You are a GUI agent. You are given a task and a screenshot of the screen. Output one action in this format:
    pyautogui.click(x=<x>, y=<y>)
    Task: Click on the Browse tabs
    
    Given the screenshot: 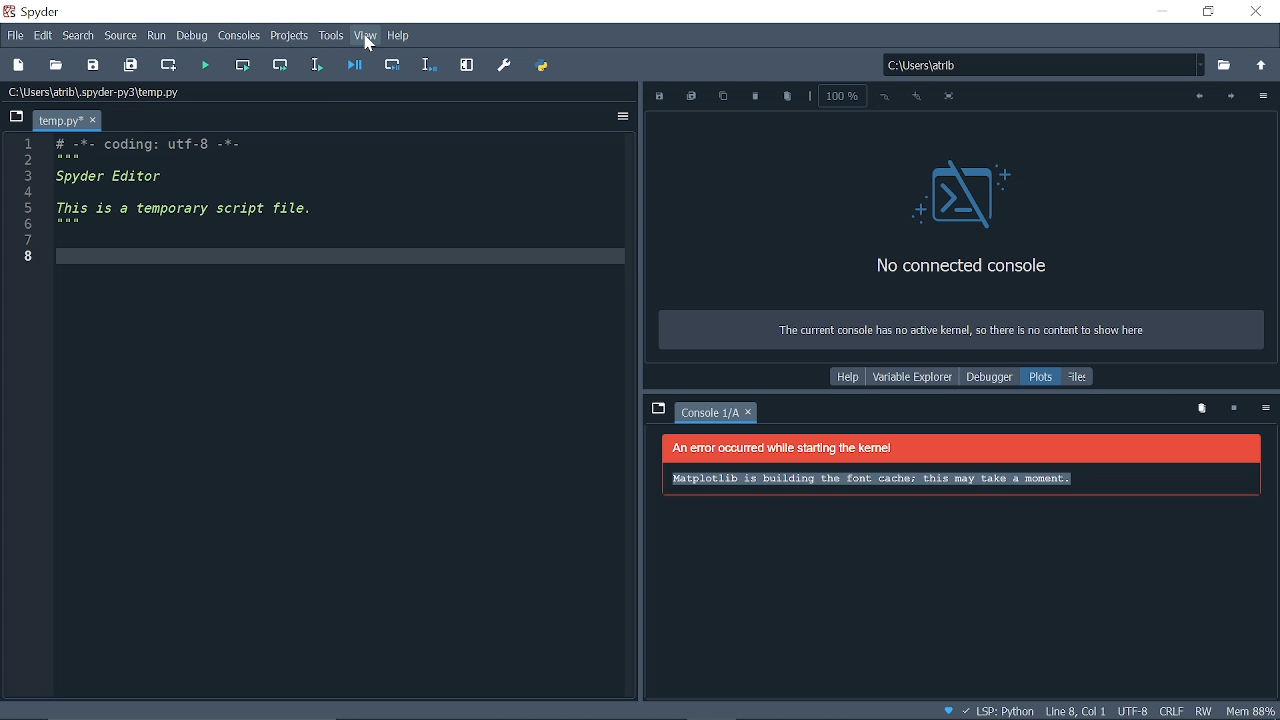 What is the action you would take?
    pyautogui.click(x=657, y=408)
    